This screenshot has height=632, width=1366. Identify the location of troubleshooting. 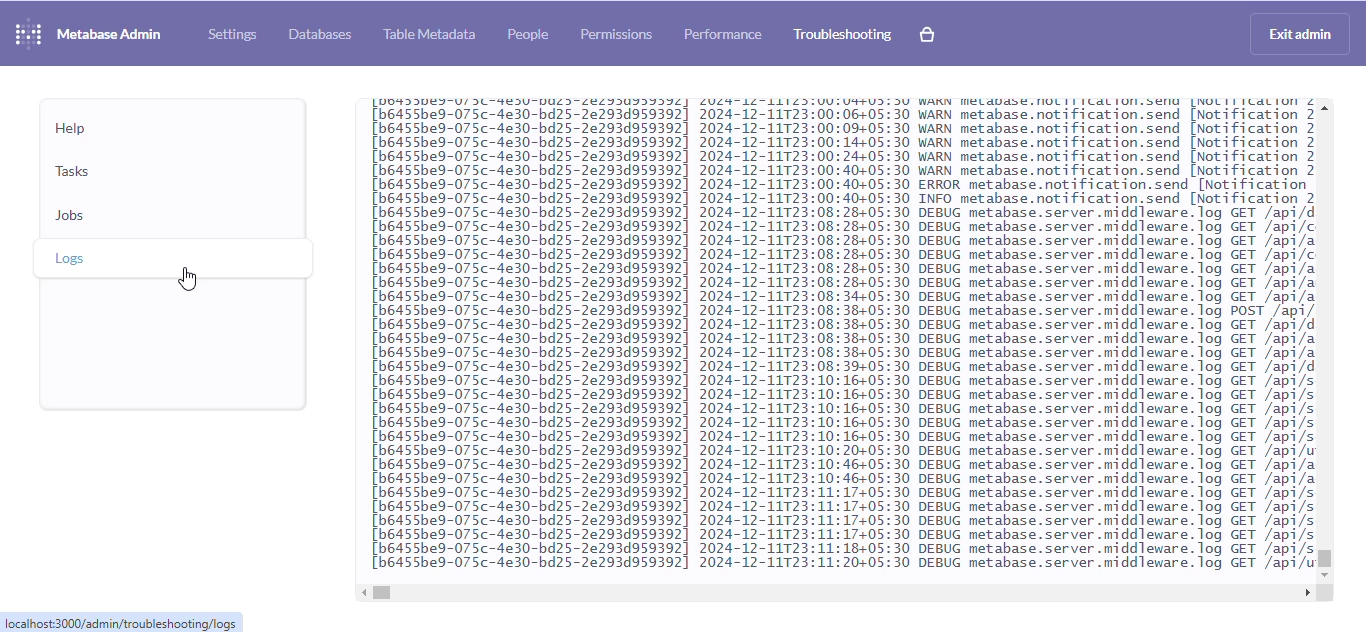
(843, 35).